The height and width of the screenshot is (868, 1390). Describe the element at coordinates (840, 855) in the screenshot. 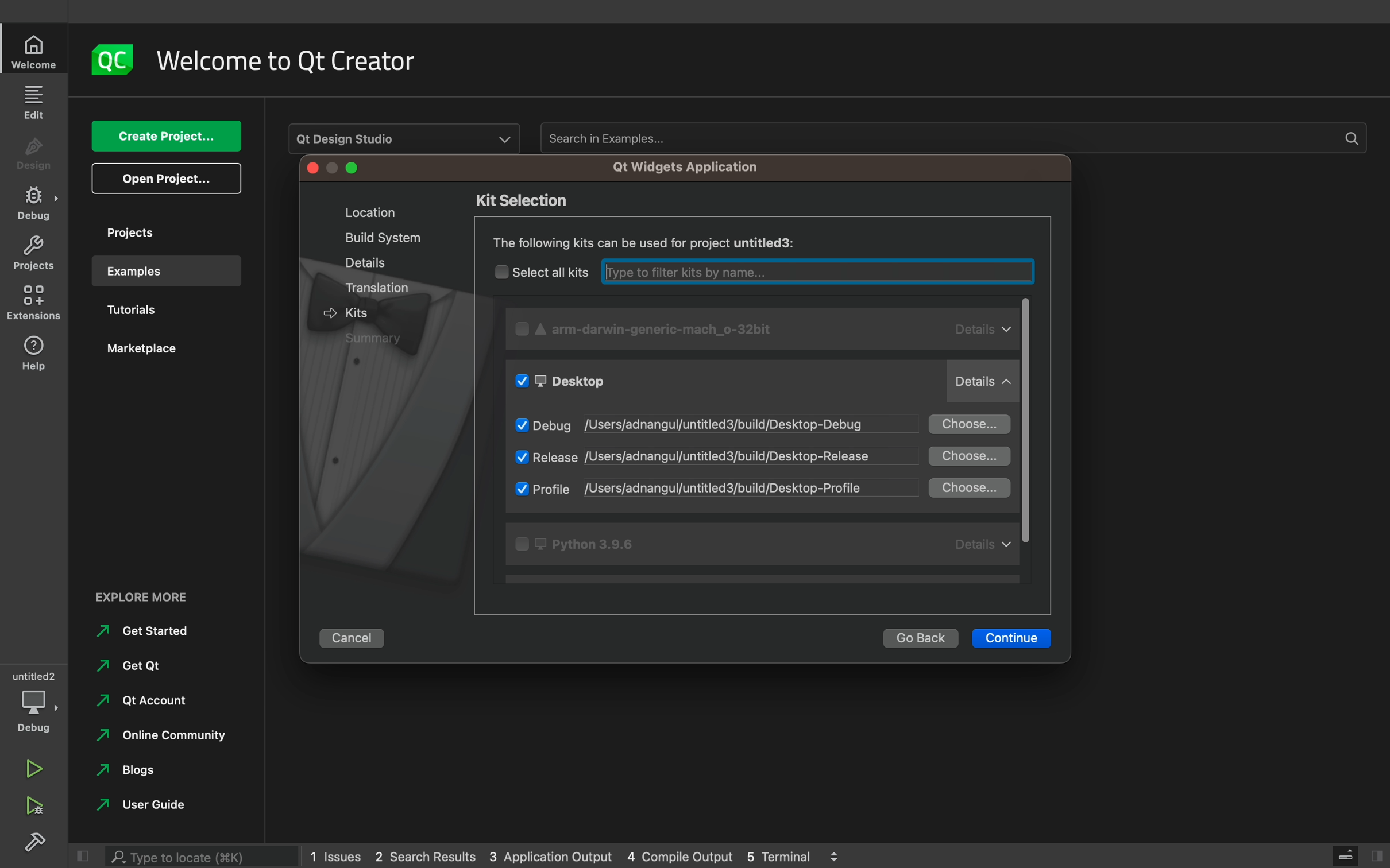

I see `increase/decrease arrows` at that location.